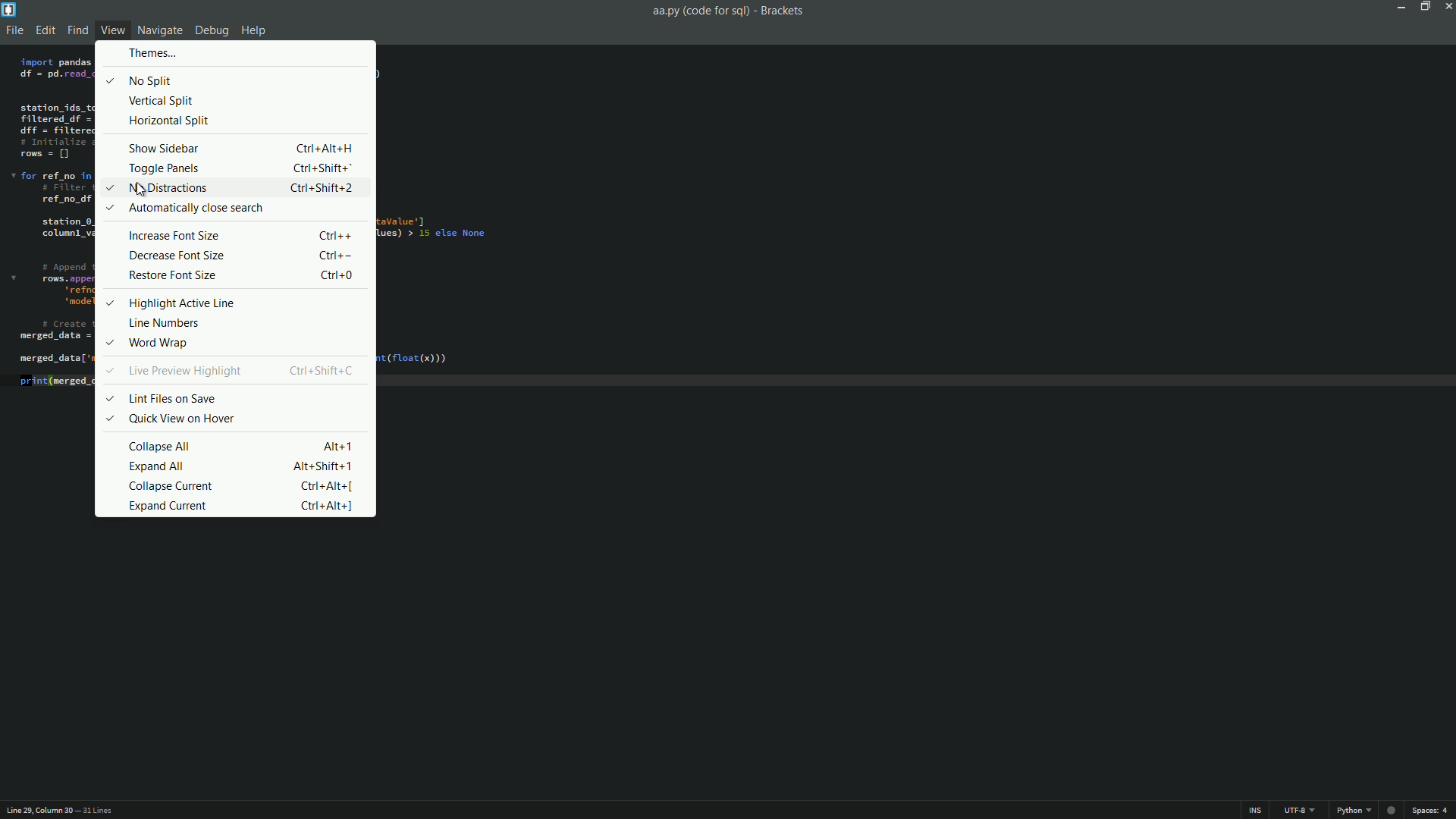  Describe the element at coordinates (1447, 7) in the screenshot. I see `close app button` at that location.